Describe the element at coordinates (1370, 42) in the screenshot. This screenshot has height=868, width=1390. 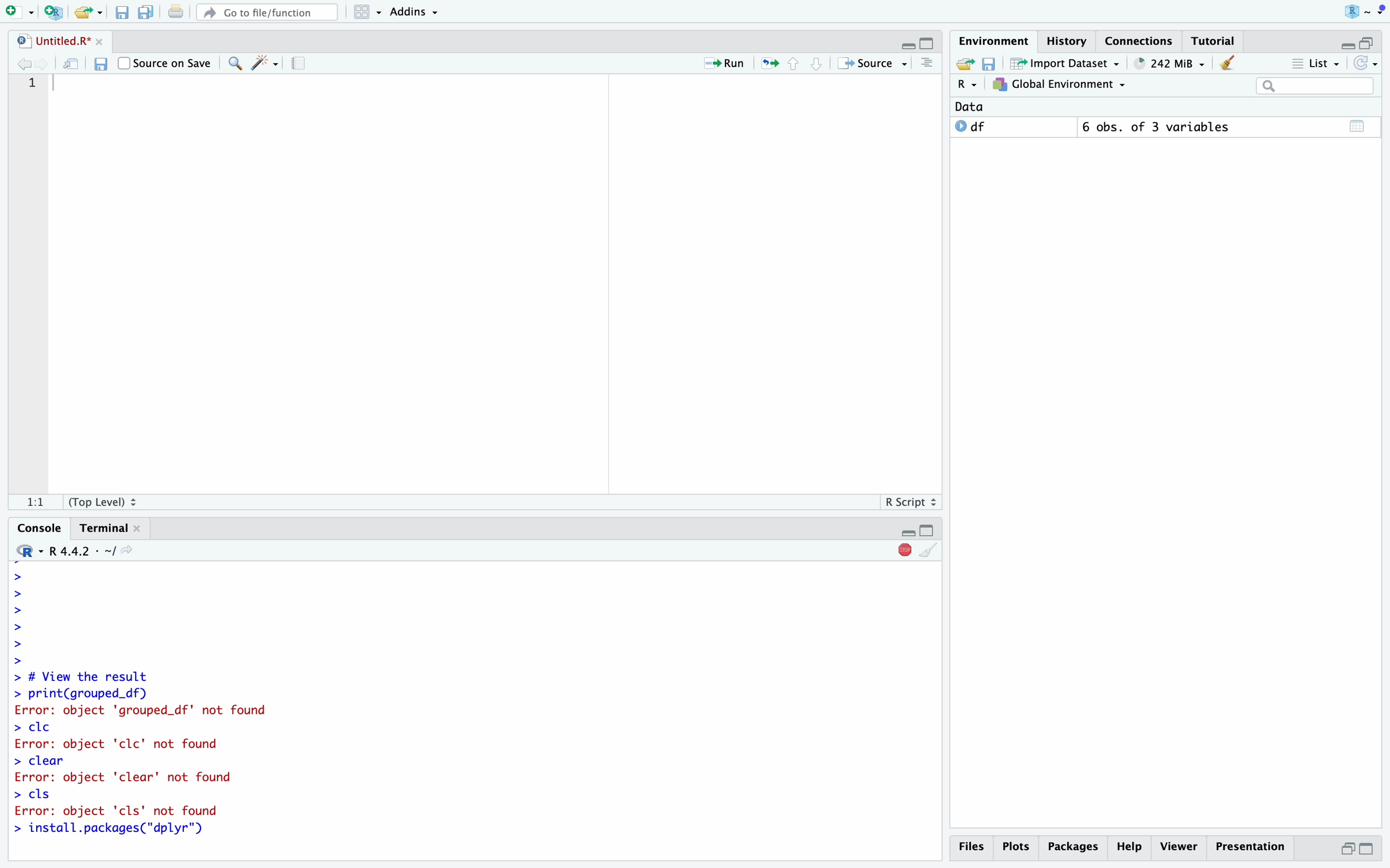
I see `Half Height` at that location.